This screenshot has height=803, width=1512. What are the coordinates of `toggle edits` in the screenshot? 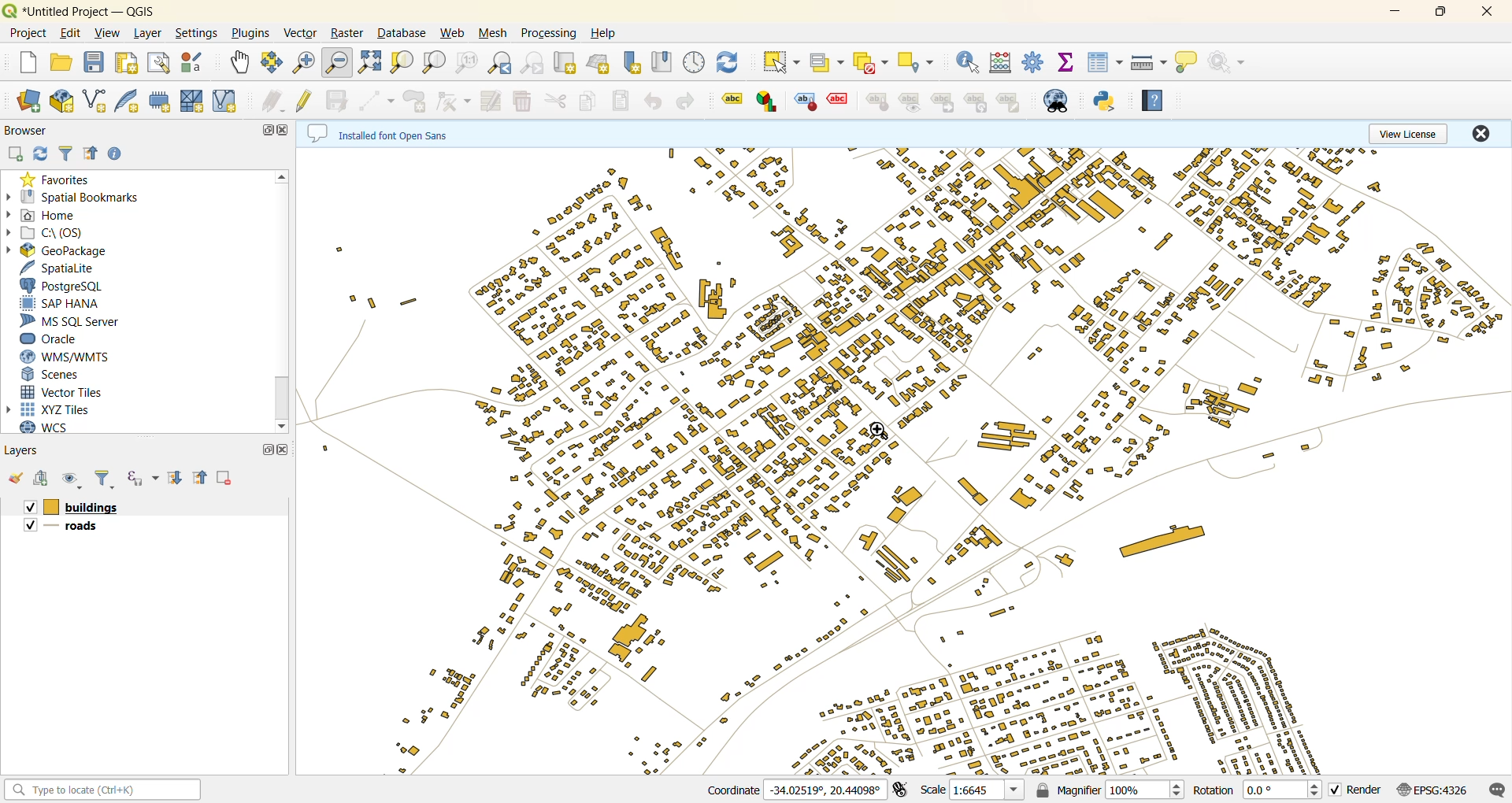 It's located at (306, 101).